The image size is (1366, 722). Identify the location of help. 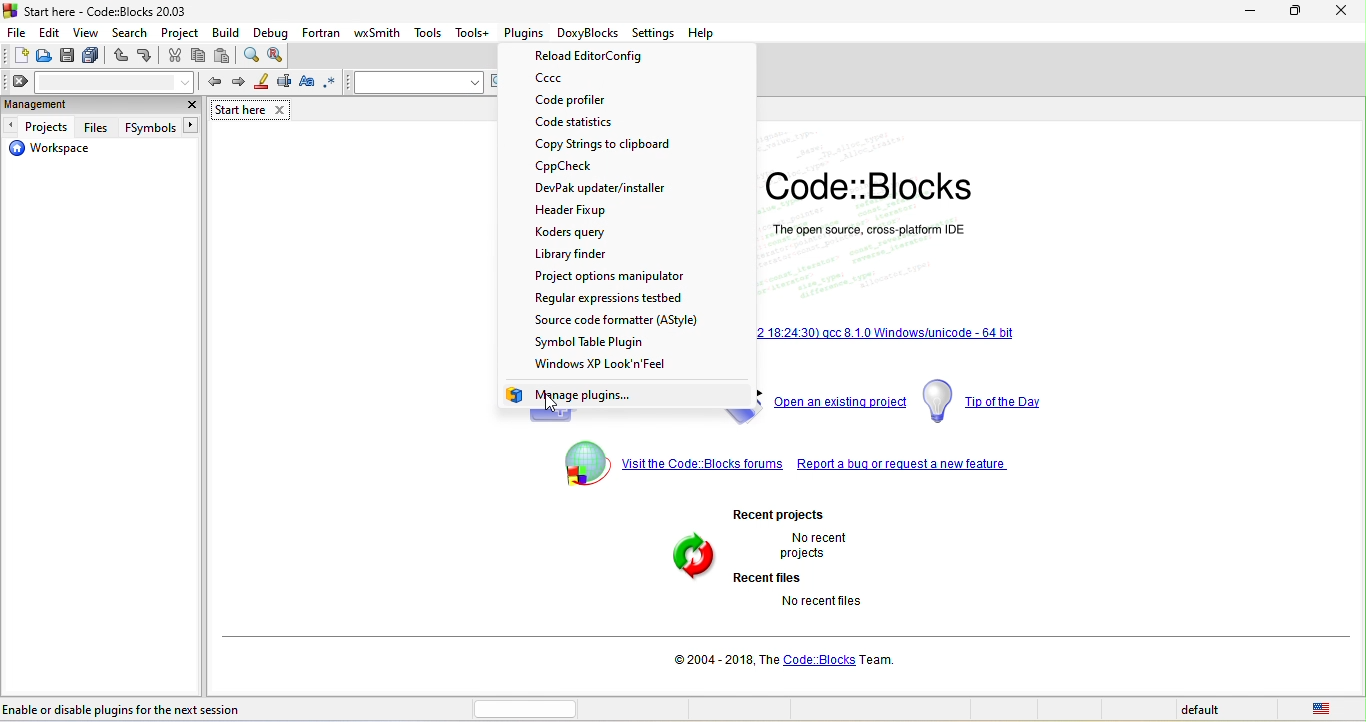
(700, 32).